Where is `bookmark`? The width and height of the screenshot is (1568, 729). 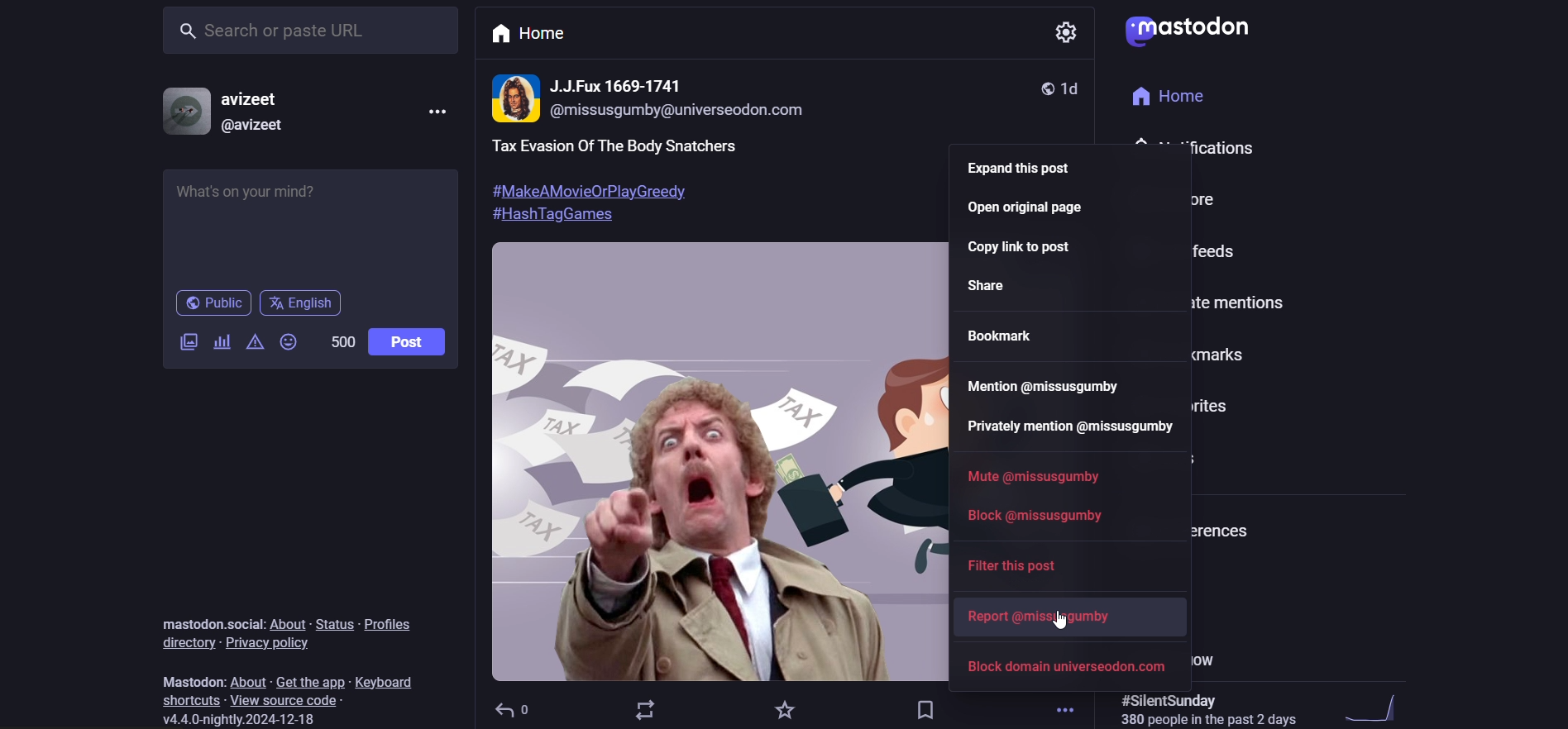 bookmark is located at coordinates (1017, 340).